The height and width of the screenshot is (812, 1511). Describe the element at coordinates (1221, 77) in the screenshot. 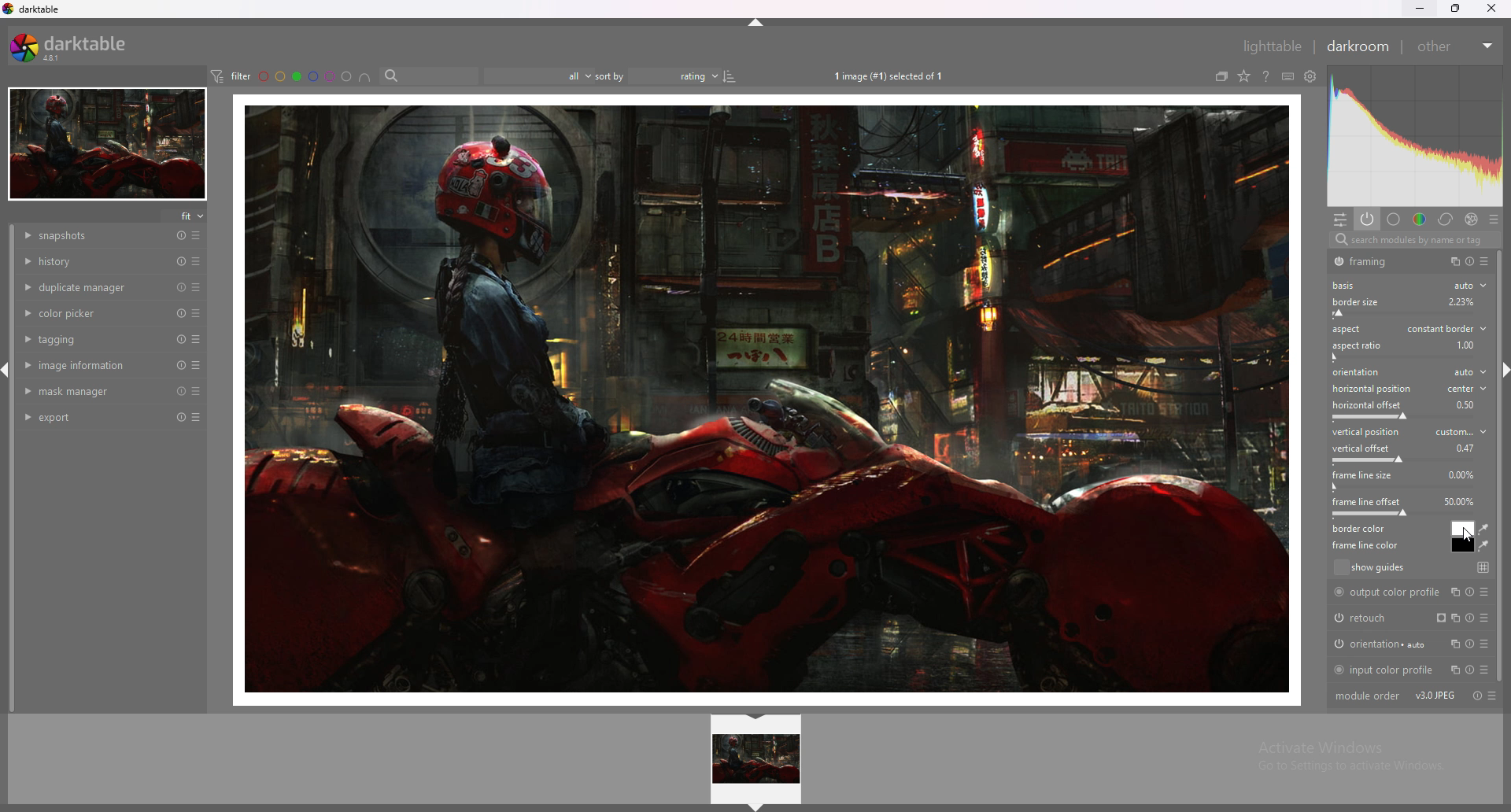

I see `collapse grouped images` at that location.